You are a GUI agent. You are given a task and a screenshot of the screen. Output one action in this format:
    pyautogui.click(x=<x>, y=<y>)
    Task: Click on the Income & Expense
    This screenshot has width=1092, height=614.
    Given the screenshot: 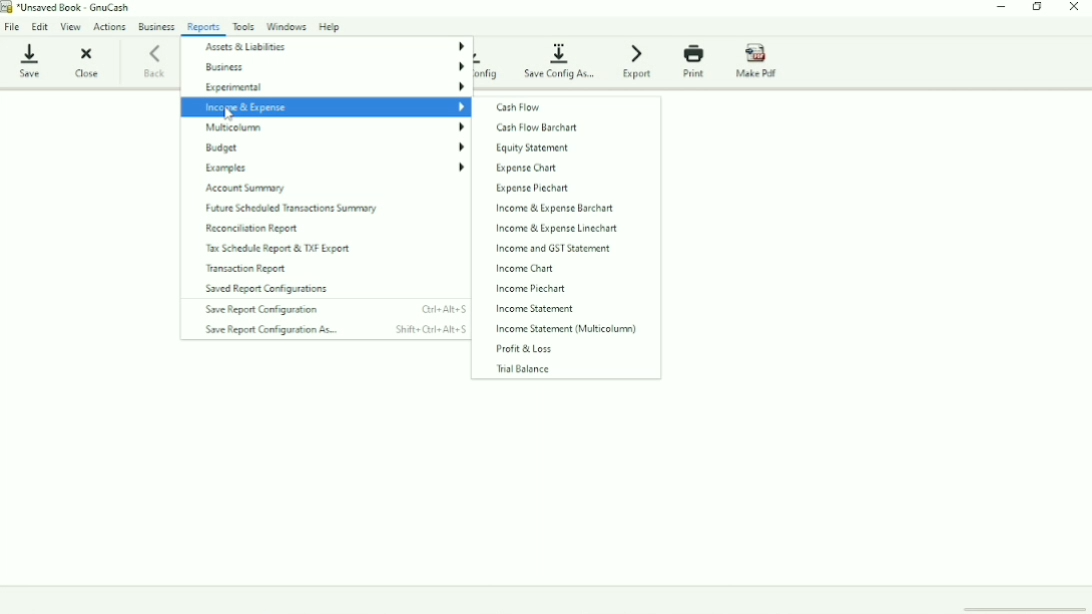 What is the action you would take?
    pyautogui.click(x=329, y=108)
    